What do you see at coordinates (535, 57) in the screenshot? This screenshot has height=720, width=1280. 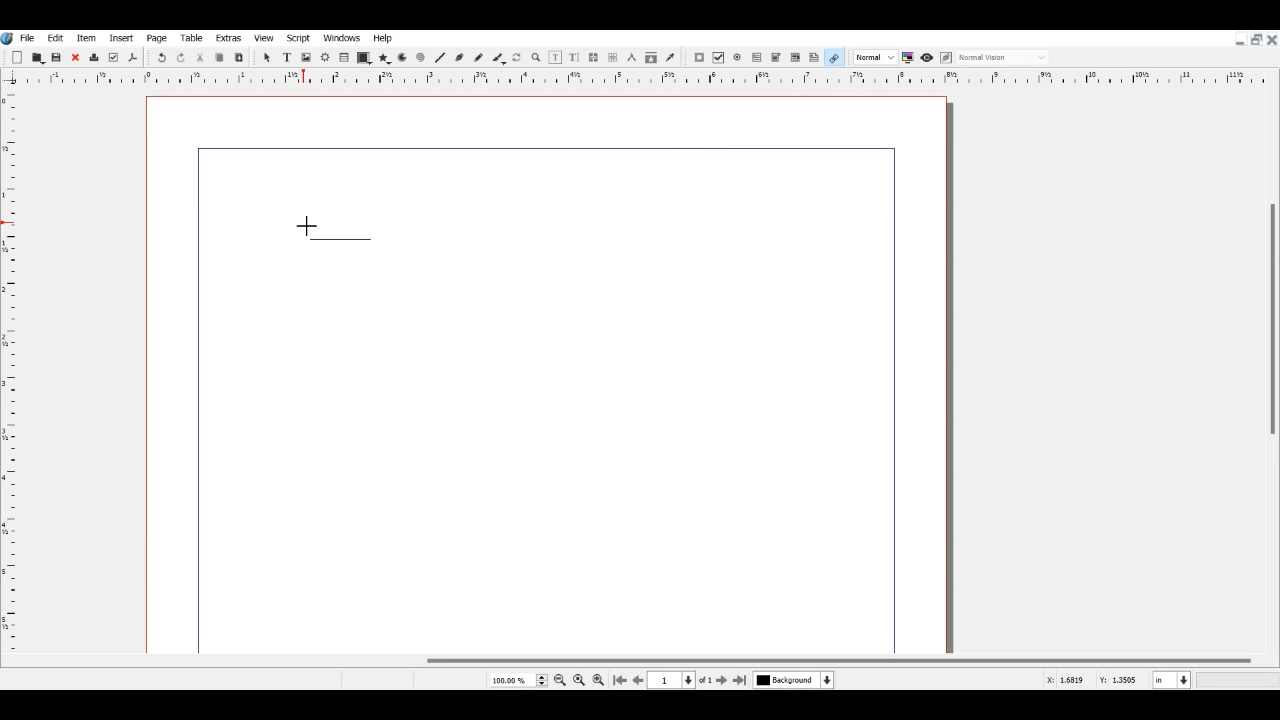 I see `Zoom in or out` at bounding box center [535, 57].